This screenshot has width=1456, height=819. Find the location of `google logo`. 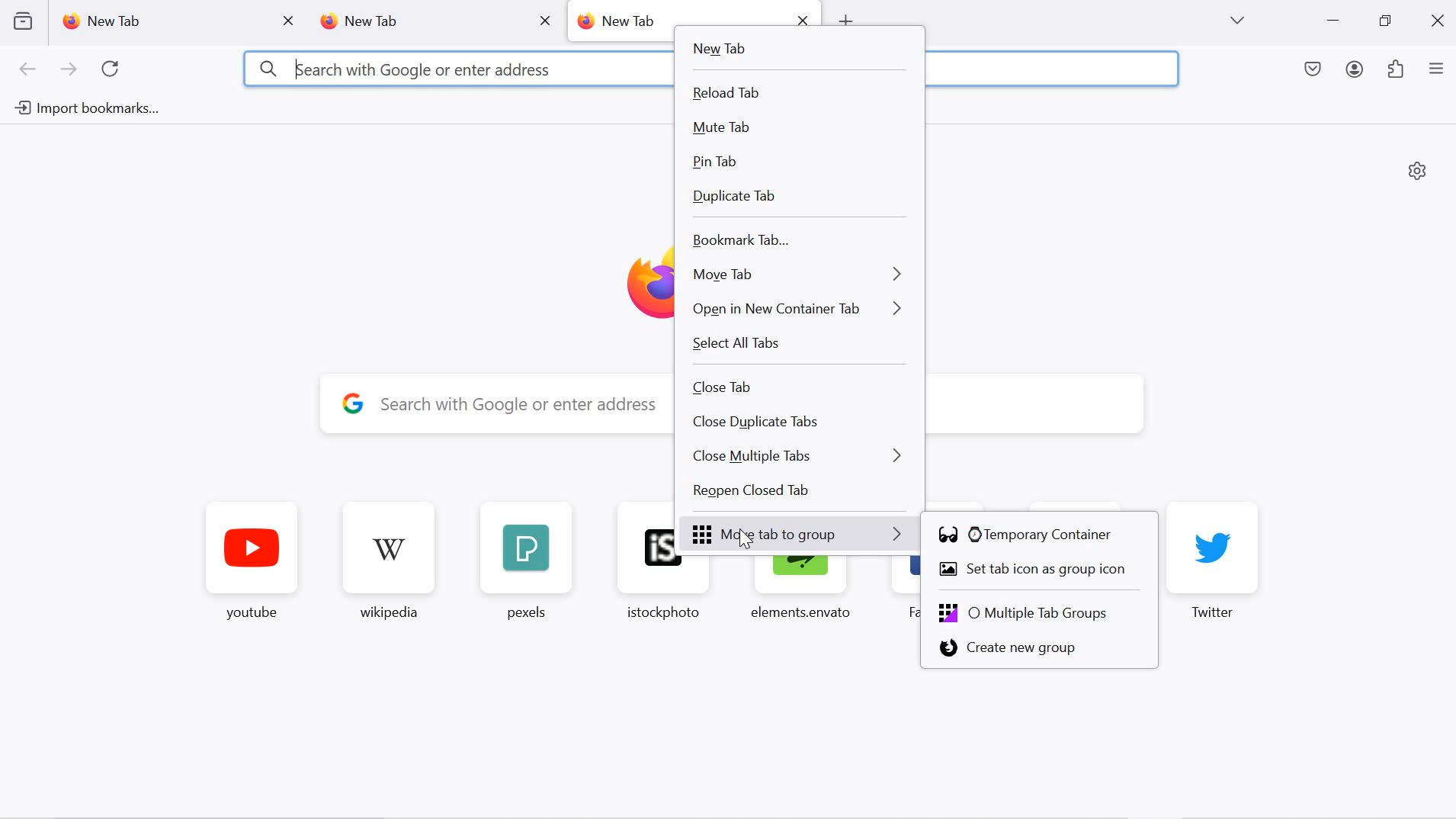

google logo is located at coordinates (353, 402).